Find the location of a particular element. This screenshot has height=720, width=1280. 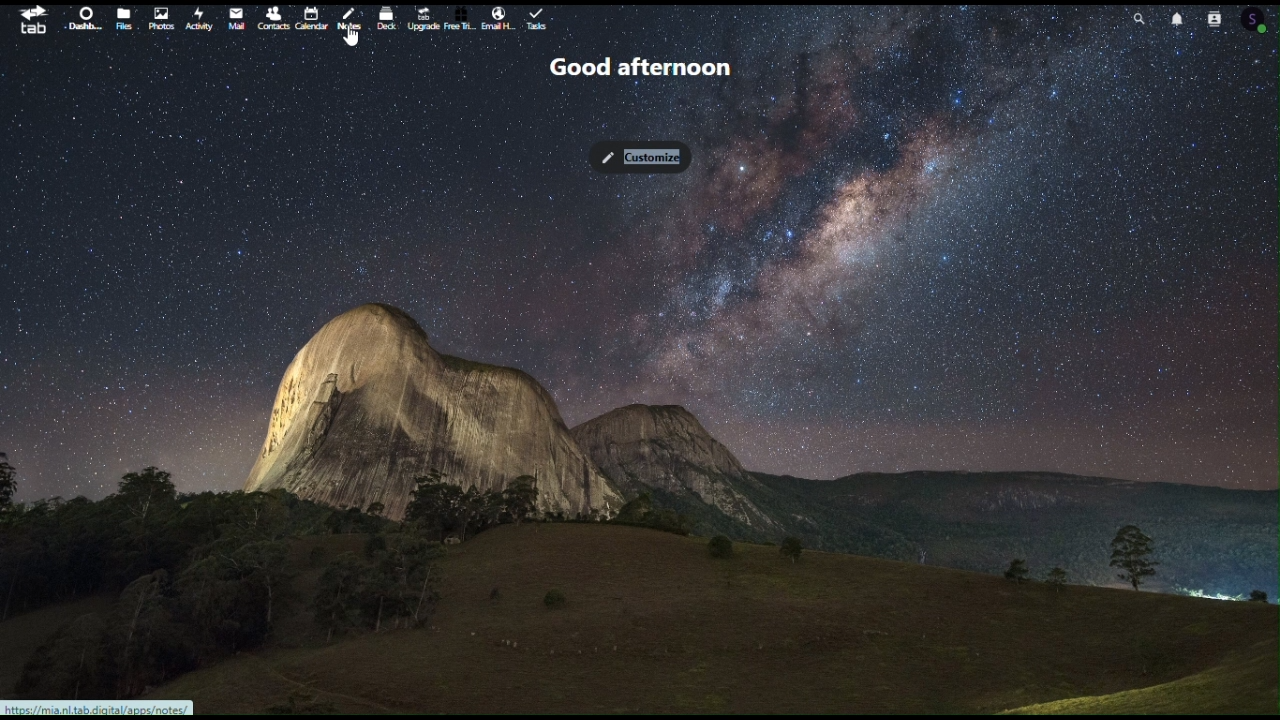

Contacts is located at coordinates (273, 17).